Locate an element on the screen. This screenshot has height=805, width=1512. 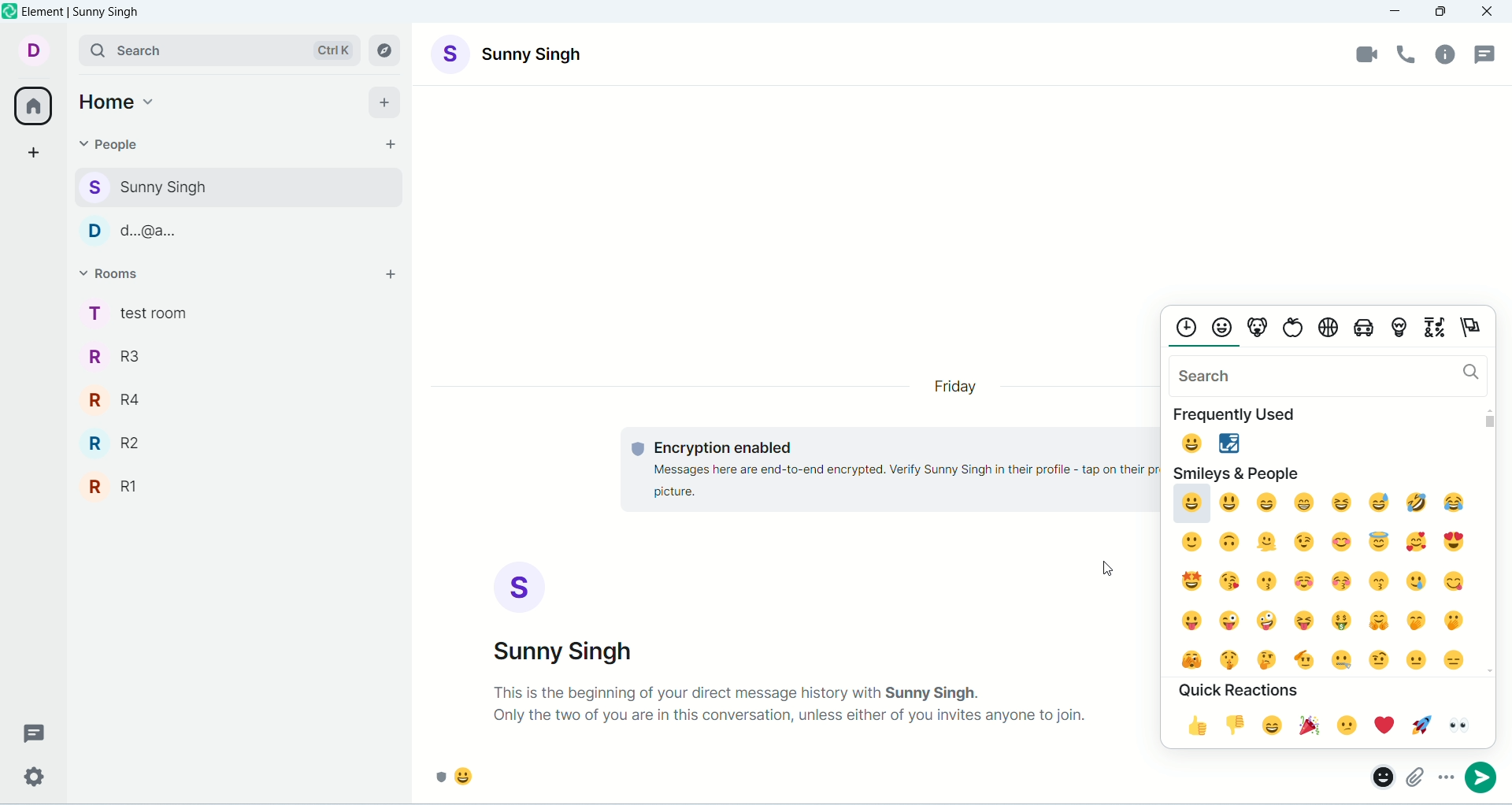
emoji added is located at coordinates (461, 781).